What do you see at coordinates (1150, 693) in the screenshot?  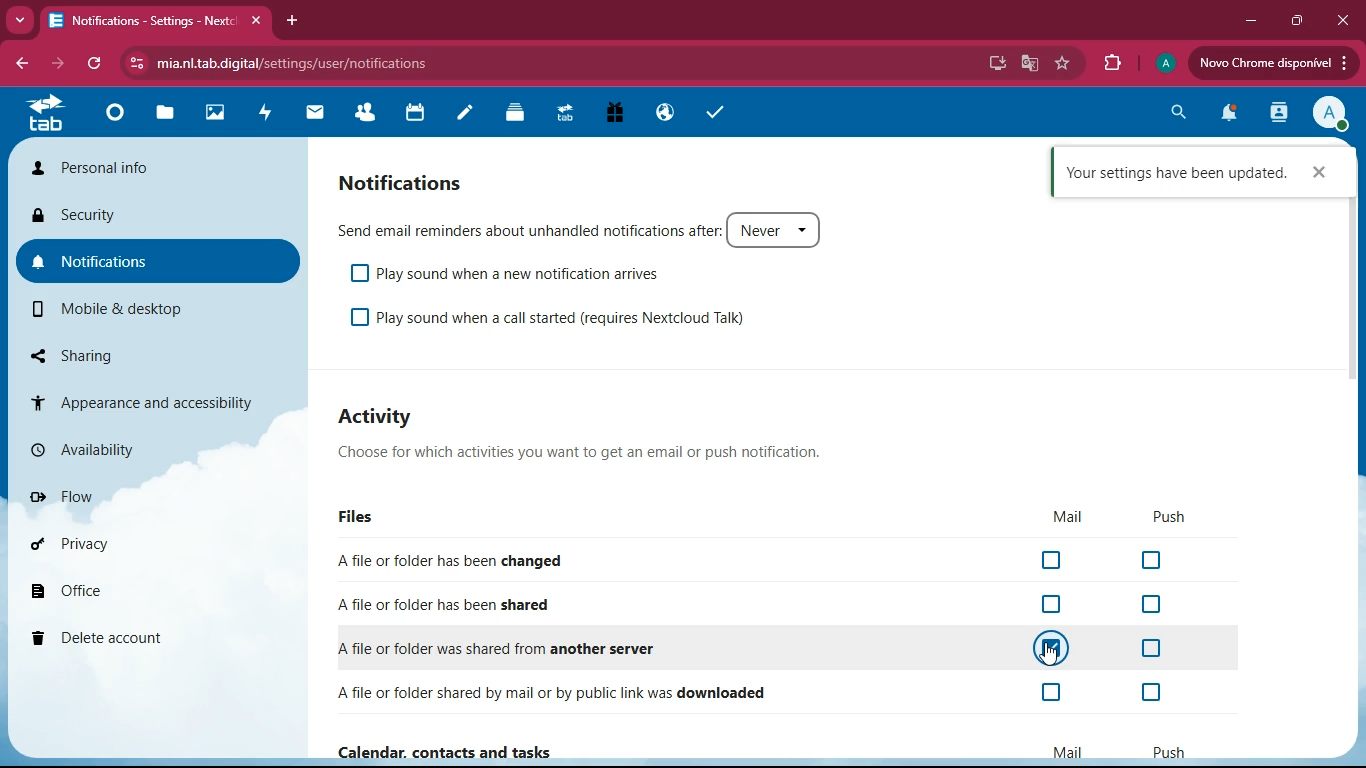 I see `off` at bounding box center [1150, 693].